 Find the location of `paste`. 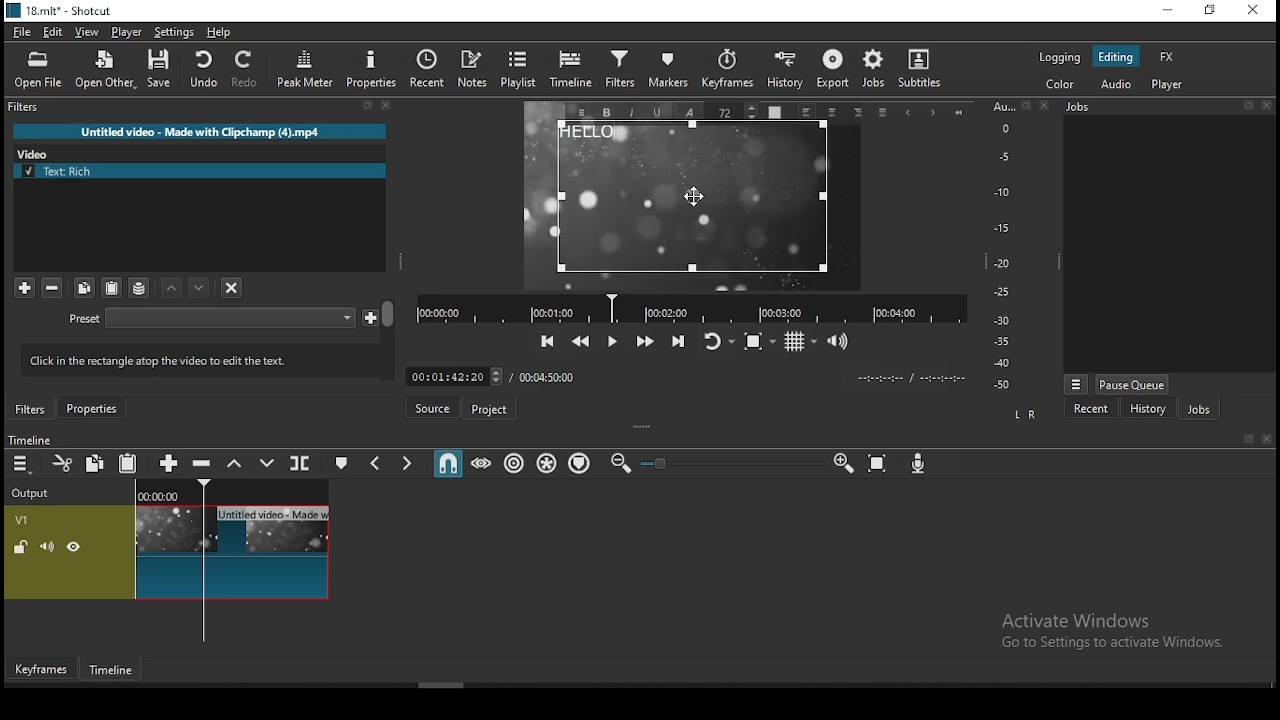

paste is located at coordinates (128, 462).